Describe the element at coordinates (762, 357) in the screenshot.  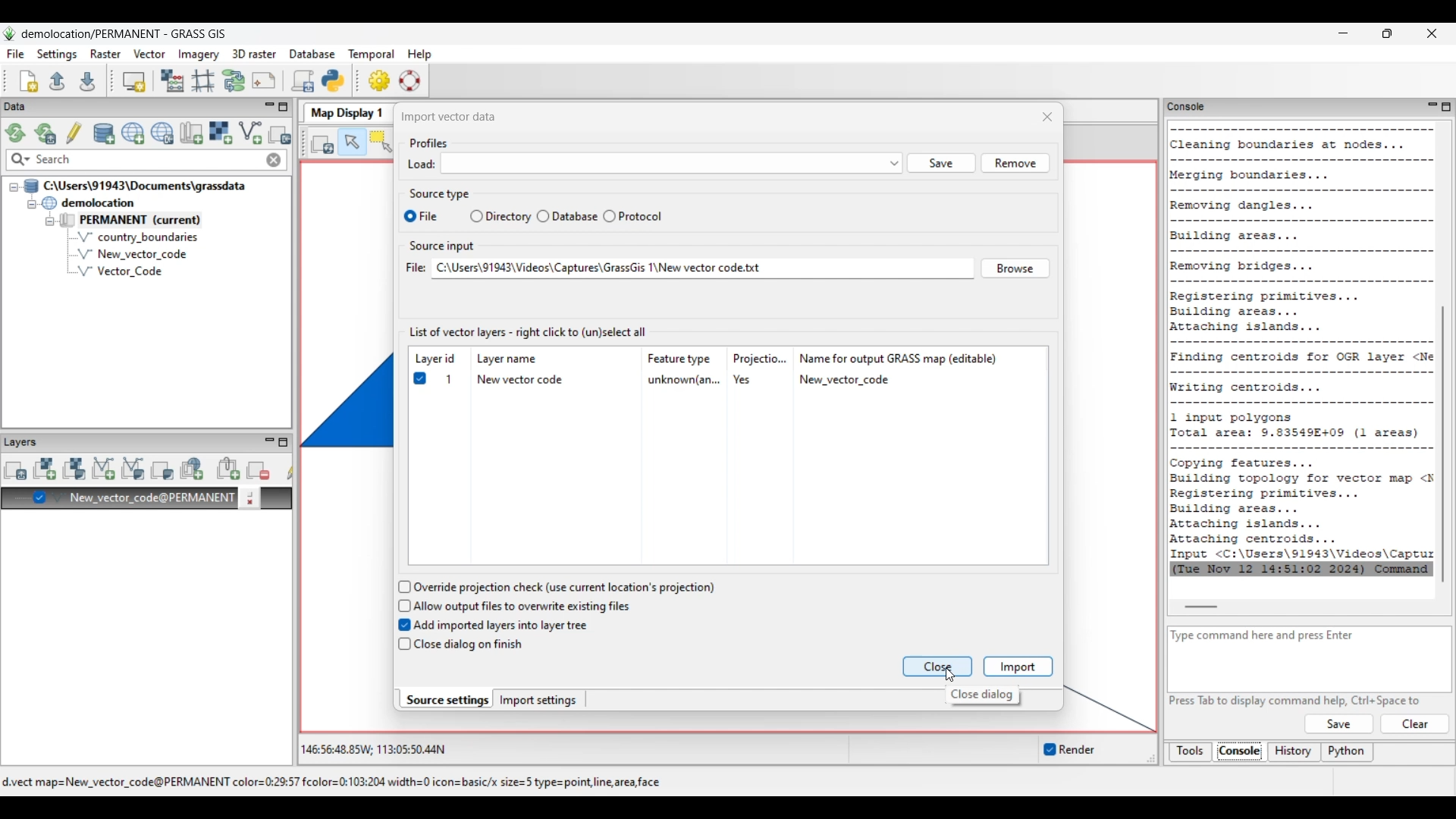
I see `Projectio...` at that location.